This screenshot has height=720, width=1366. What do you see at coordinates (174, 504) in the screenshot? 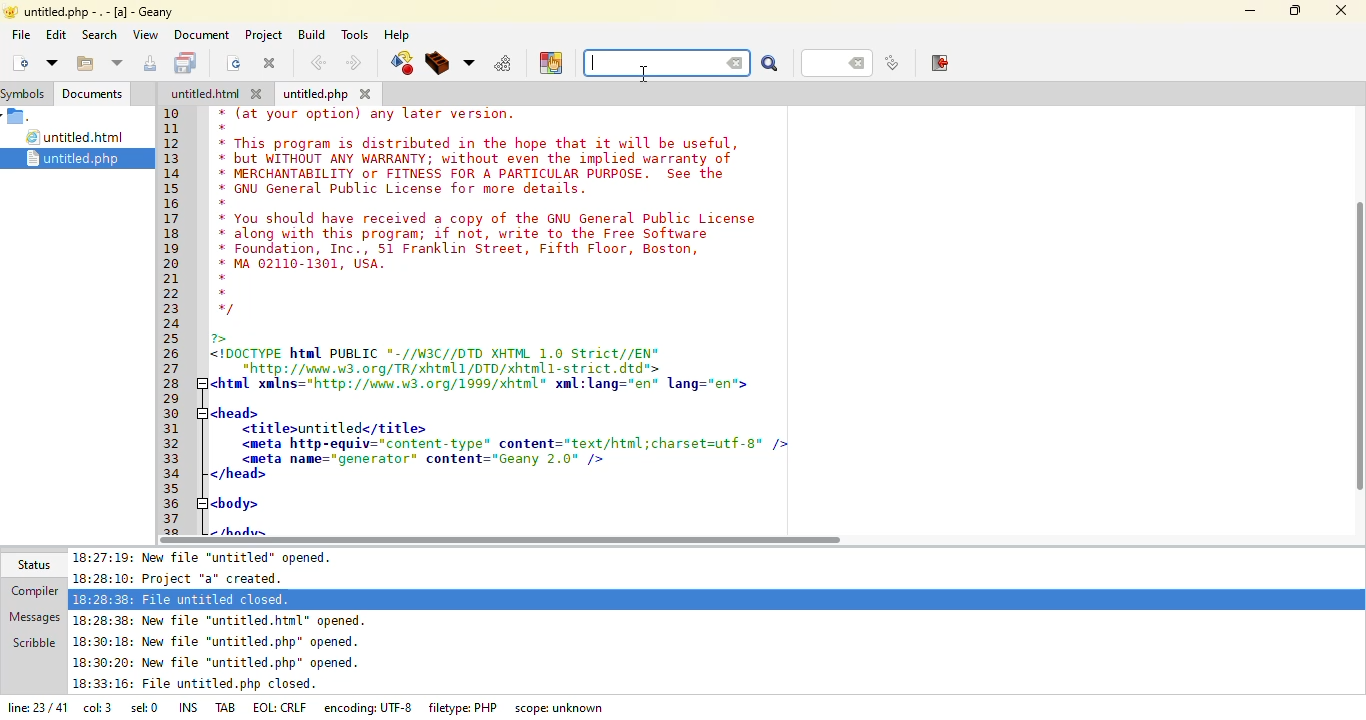
I see `36` at bounding box center [174, 504].